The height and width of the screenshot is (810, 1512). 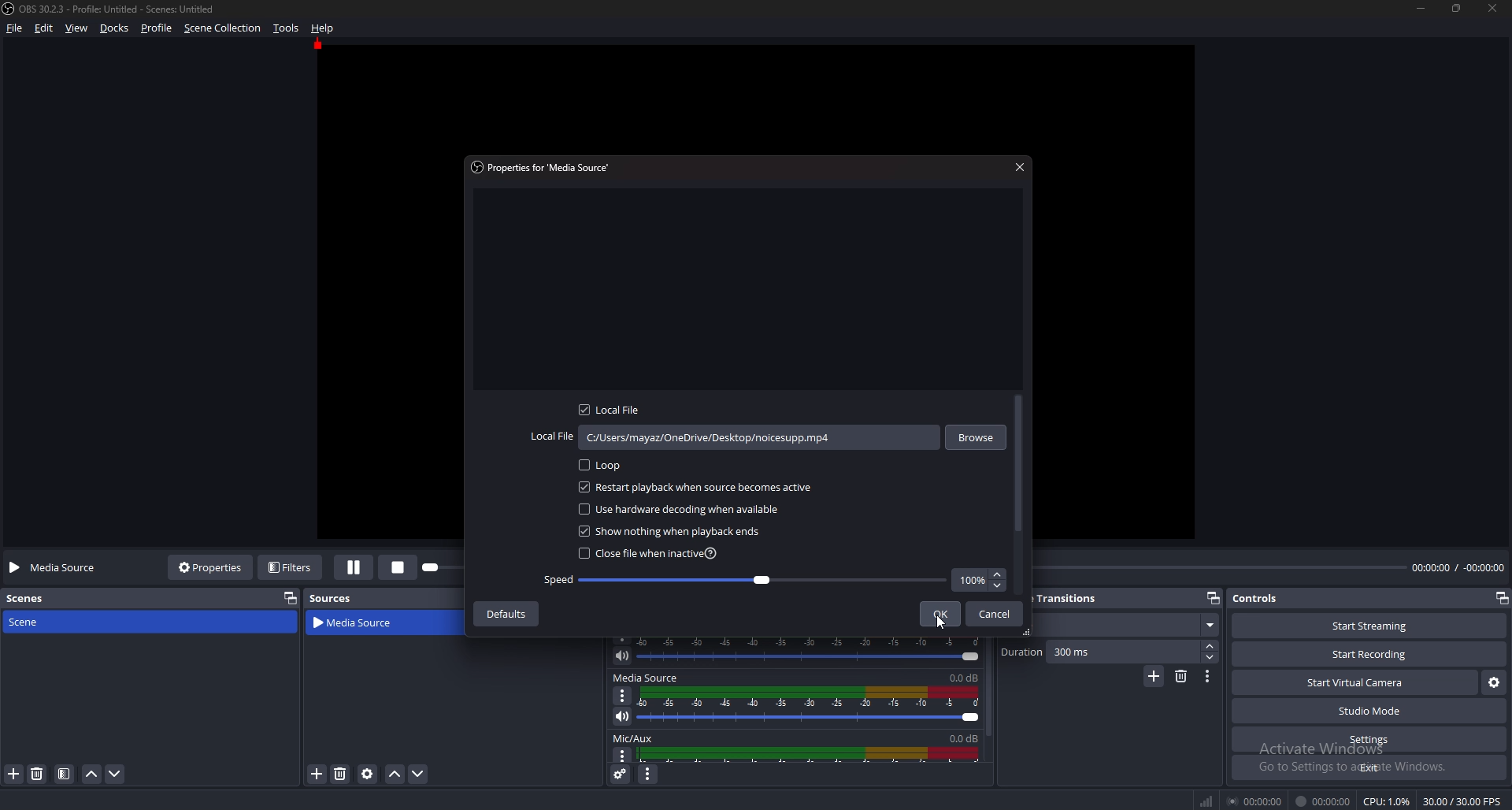 What do you see at coordinates (1074, 600) in the screenshot?
I see `Scene transitions` at bounding box center [1074, 600].